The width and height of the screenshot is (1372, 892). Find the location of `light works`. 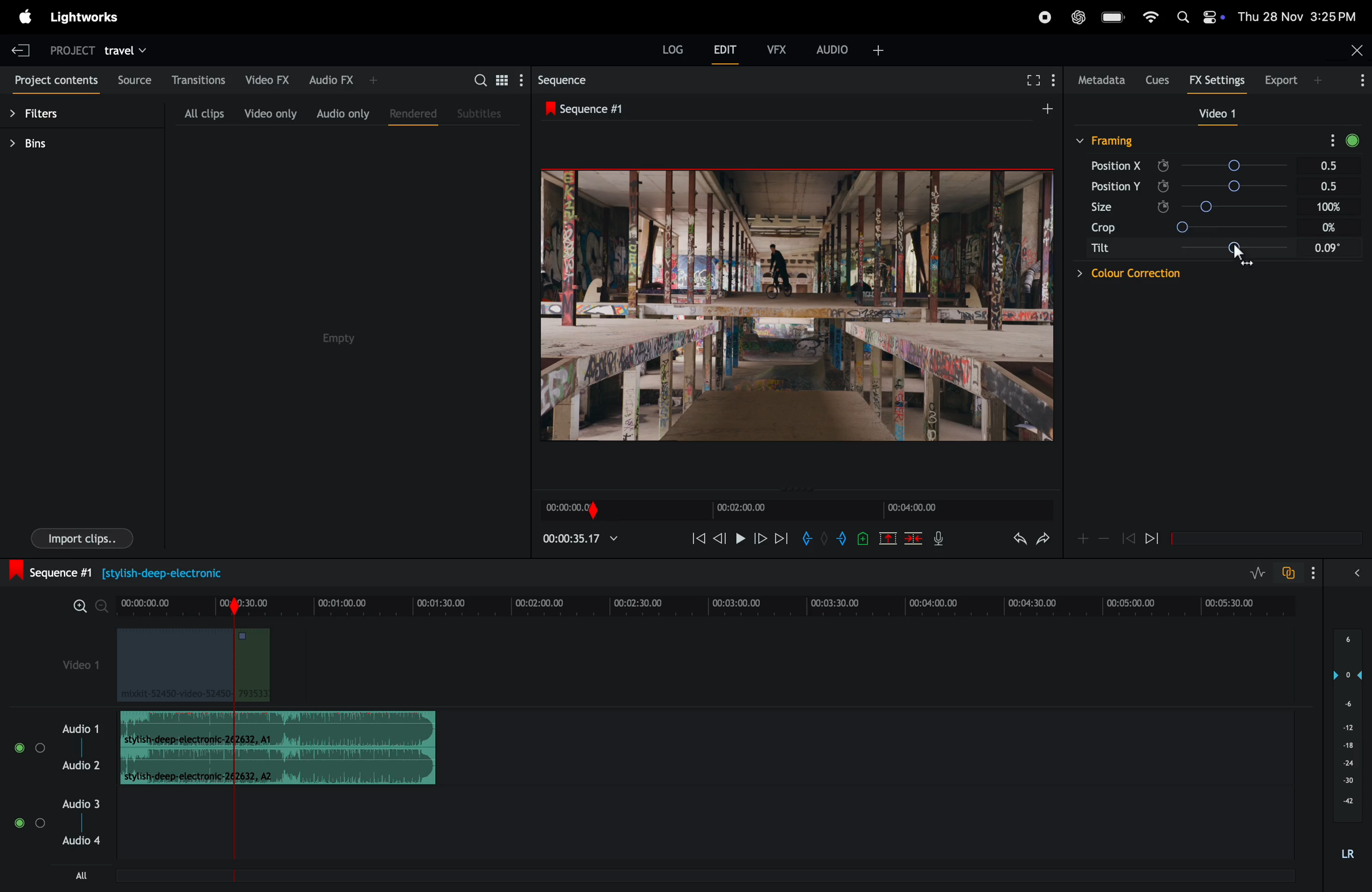

light works is located at coordinates (25, 16).